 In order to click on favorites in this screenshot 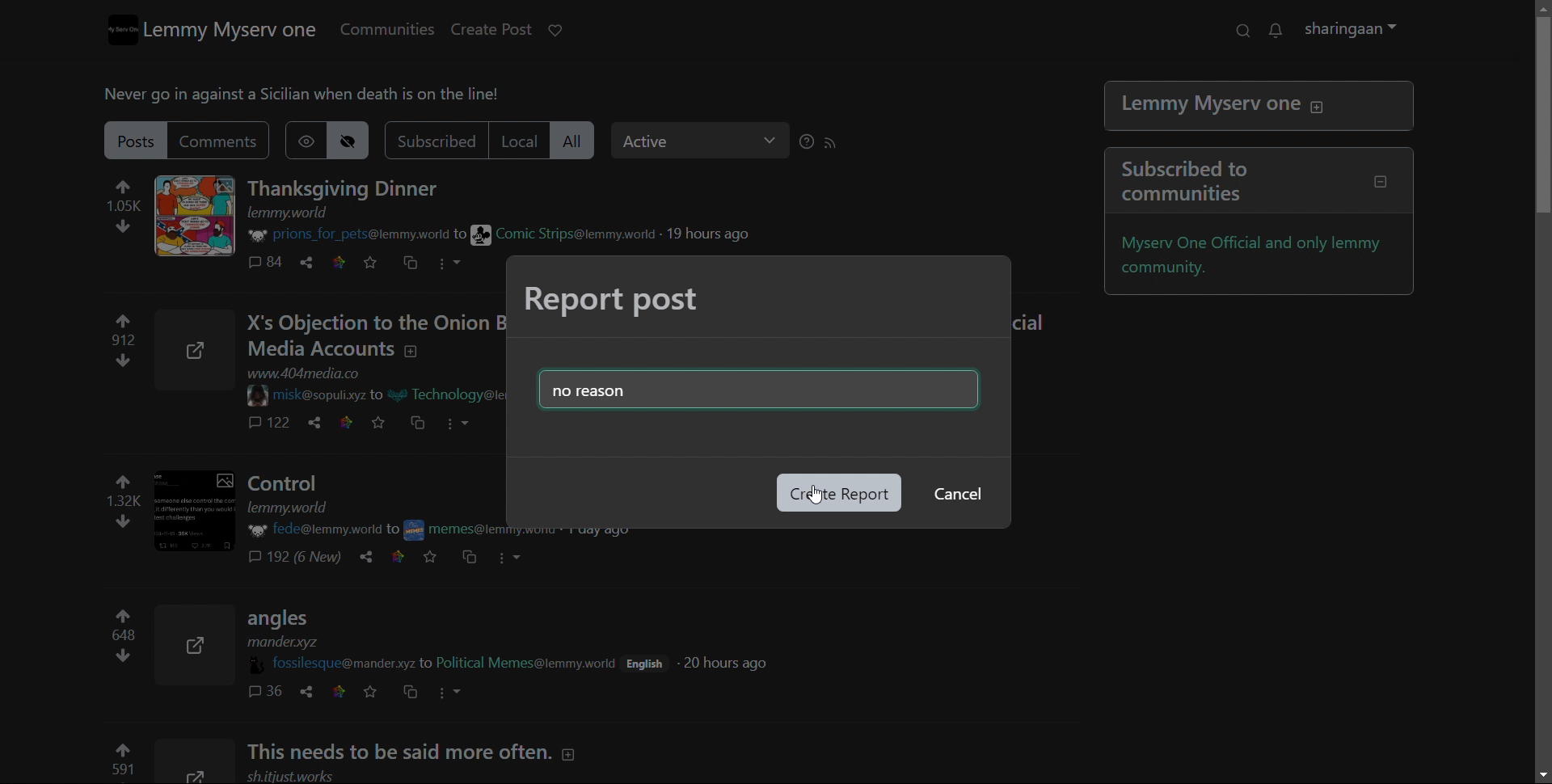, I will do `click(377, 691)`.